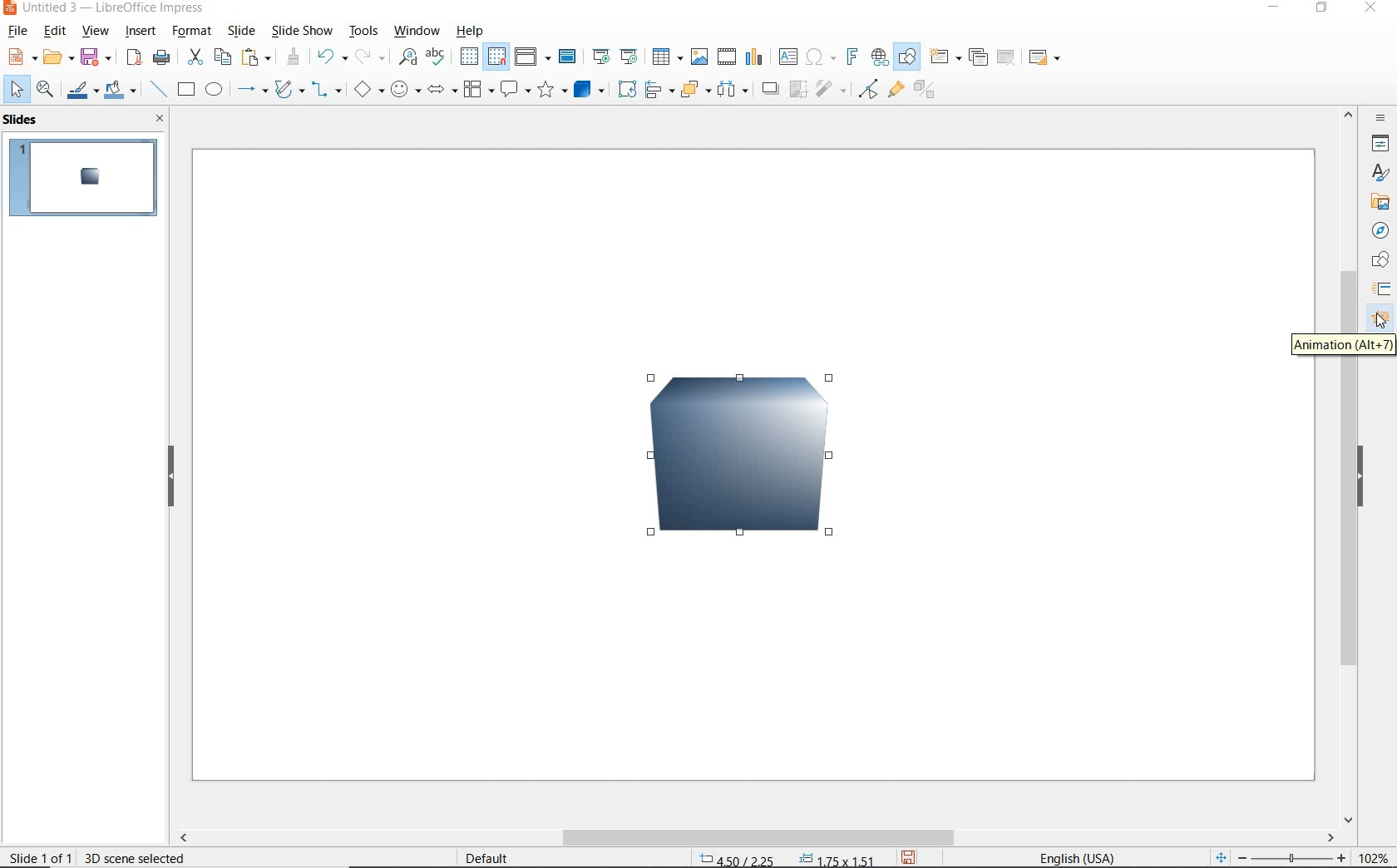 This screenshot has width=1397, height=868. I want to click on show draw functions, so click(906, 57).